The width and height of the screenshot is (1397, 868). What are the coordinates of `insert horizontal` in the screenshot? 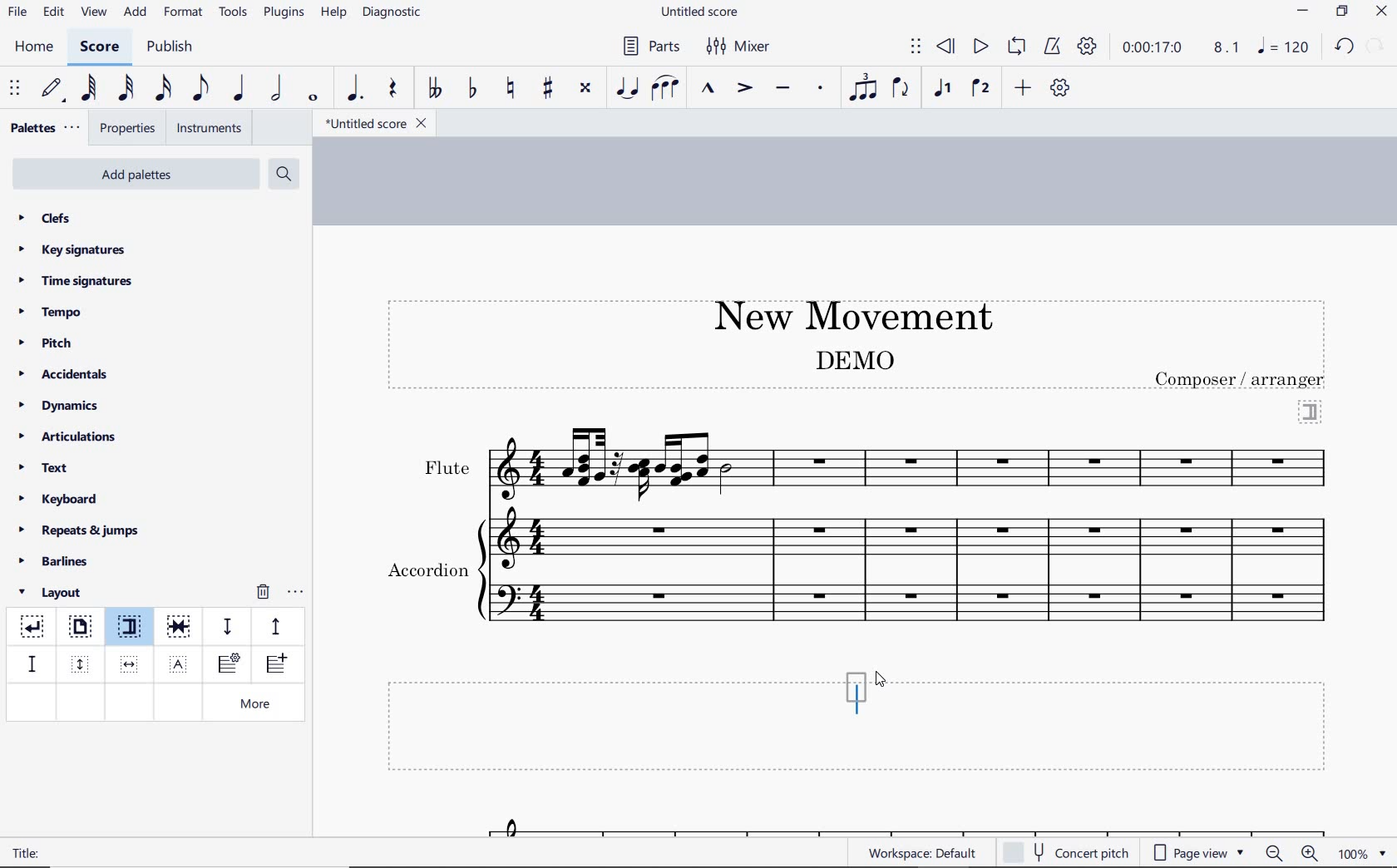 It's located at (130, 664).